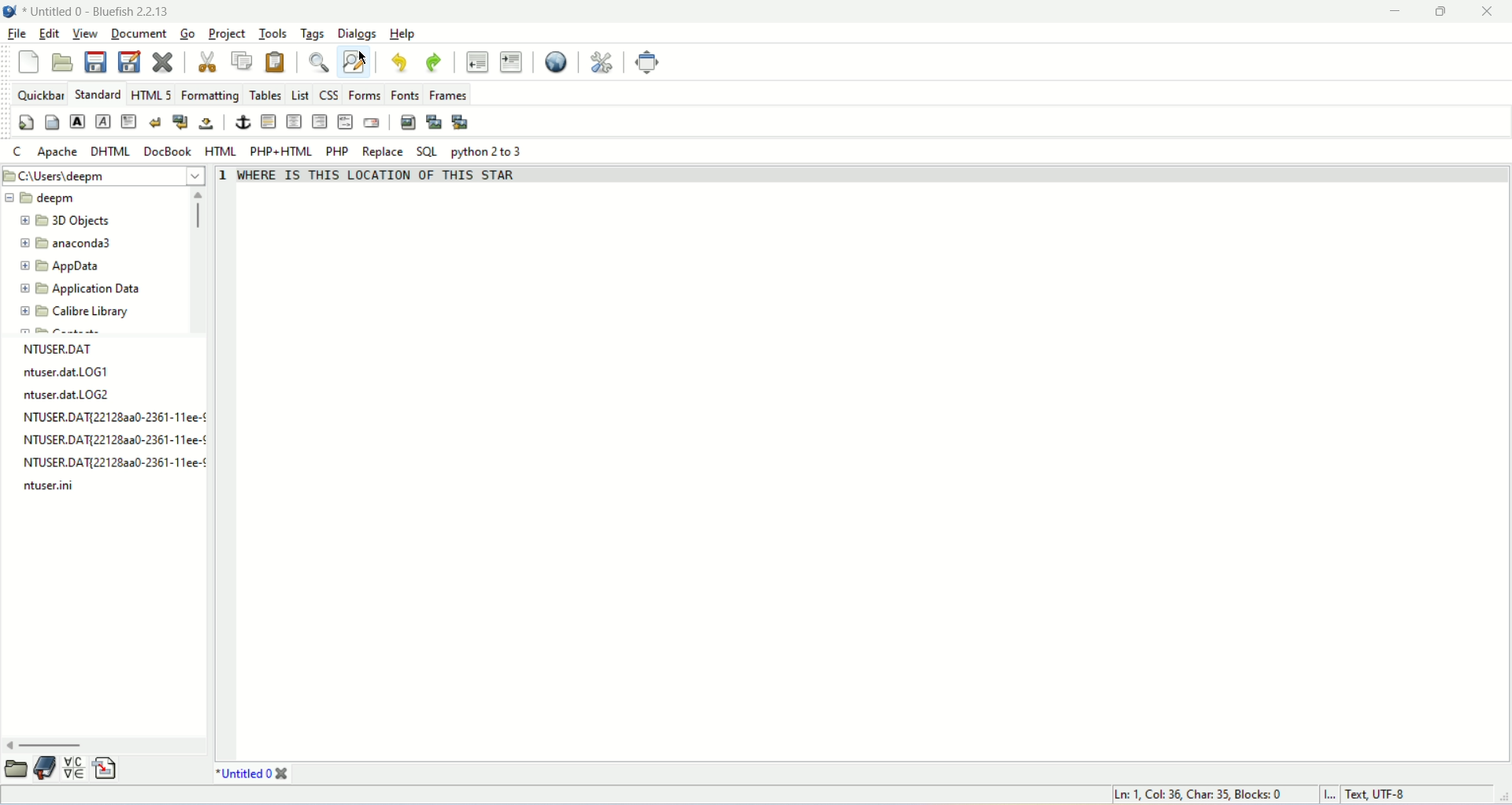 The image size is (1512, 805). What do you see at coordinates (450, 95) in the screenshot?
I see `frames` at bounding box center [450, 95].